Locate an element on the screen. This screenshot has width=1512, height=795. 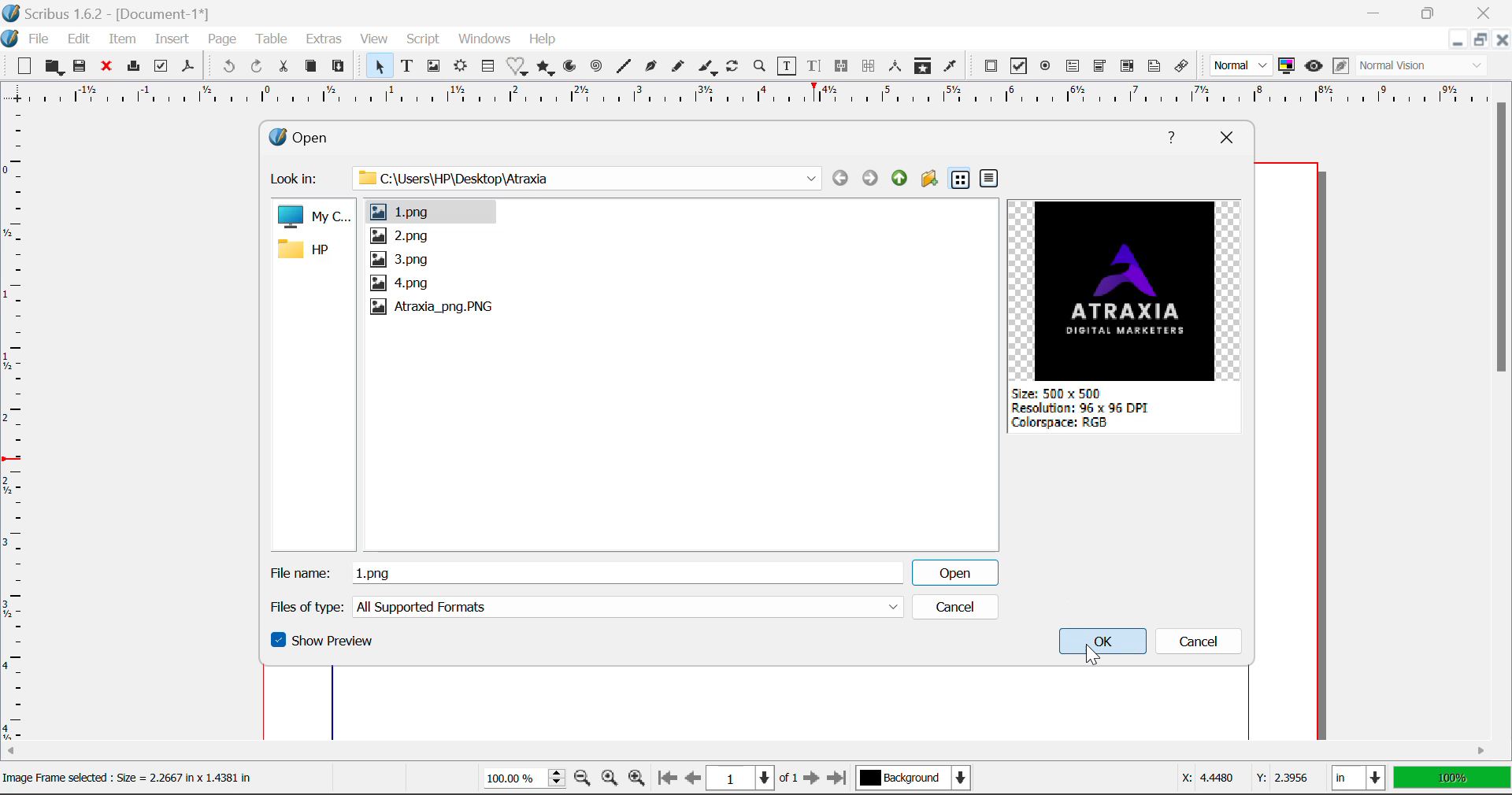
Cancel is located at coordinates (1203, 644).